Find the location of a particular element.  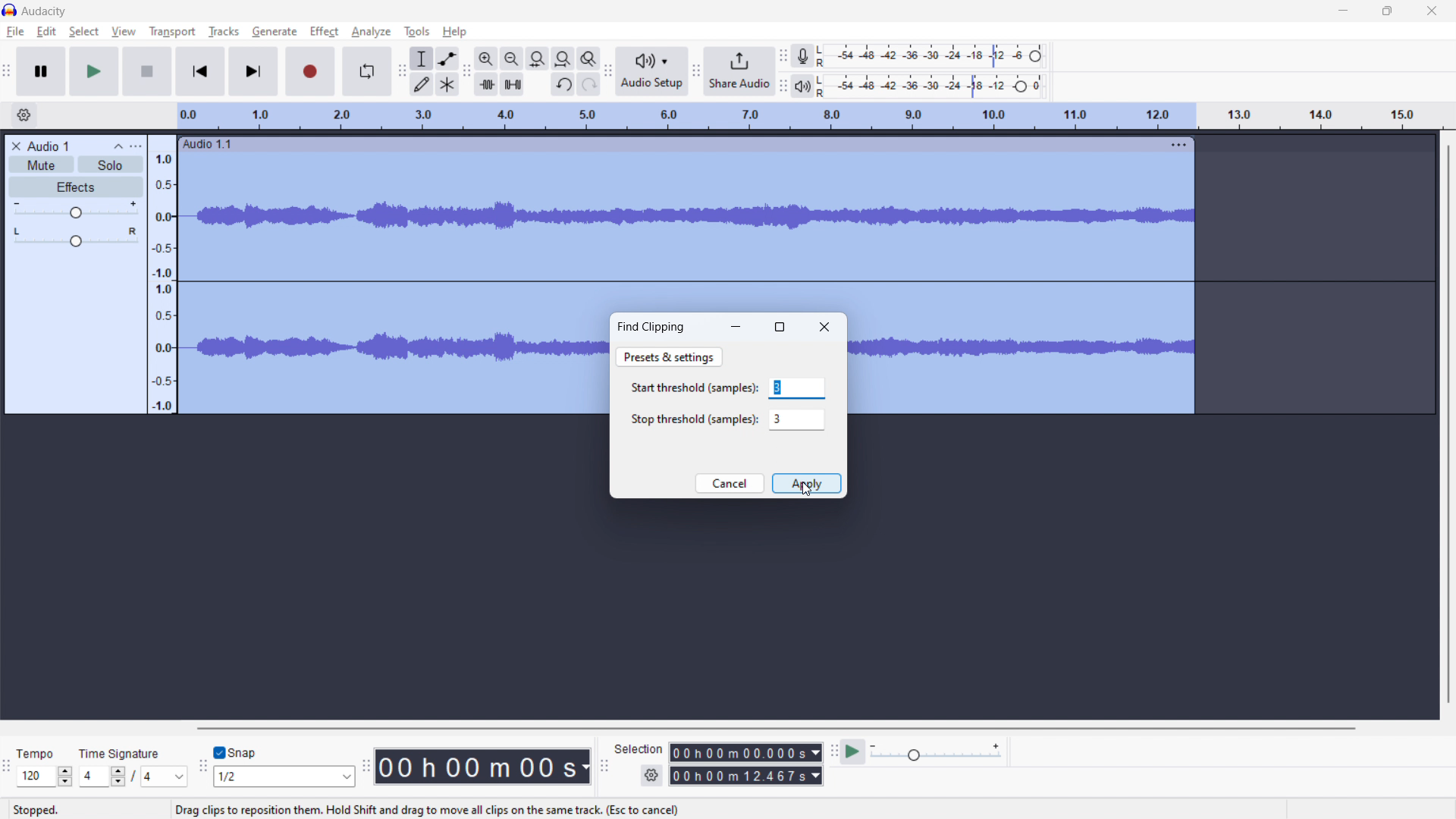

recording meter is located at coordinates (802, 56).